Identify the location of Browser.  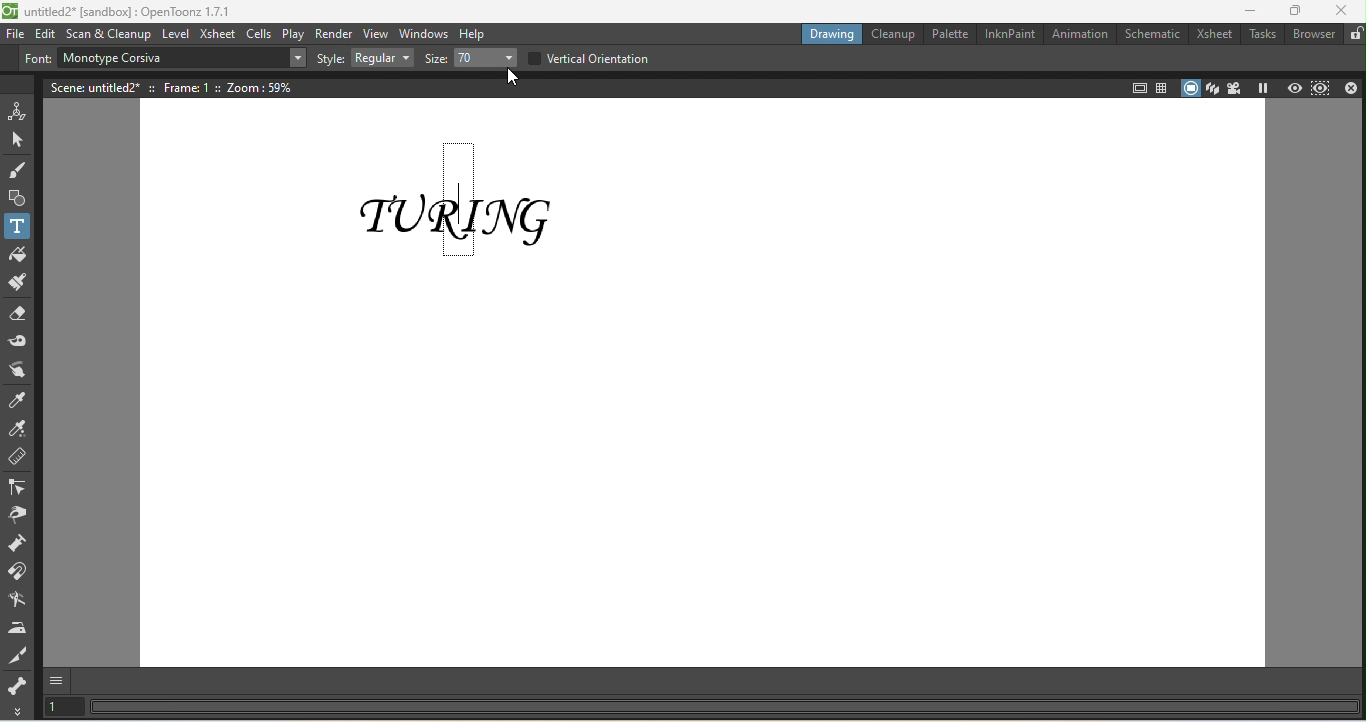
(1311, 35).